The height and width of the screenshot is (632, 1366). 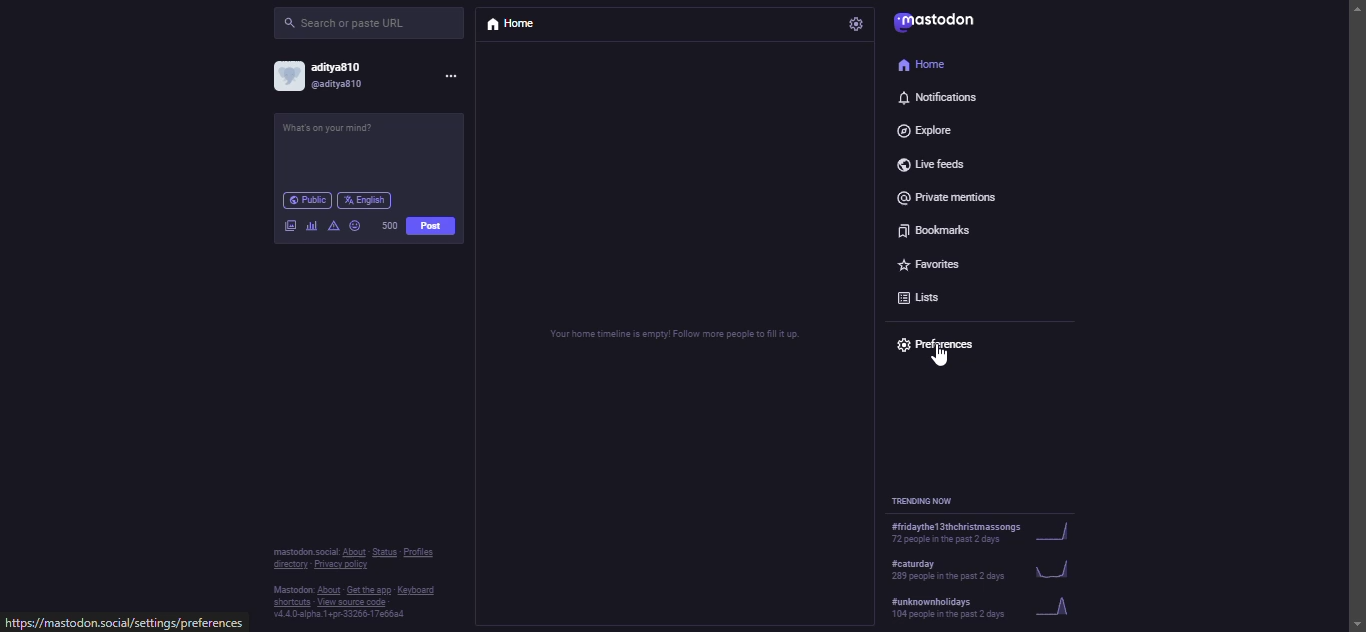 What do you see at coordinates (431, 228) in the screenshot?
I see `post` at bounding box center [431, 228].